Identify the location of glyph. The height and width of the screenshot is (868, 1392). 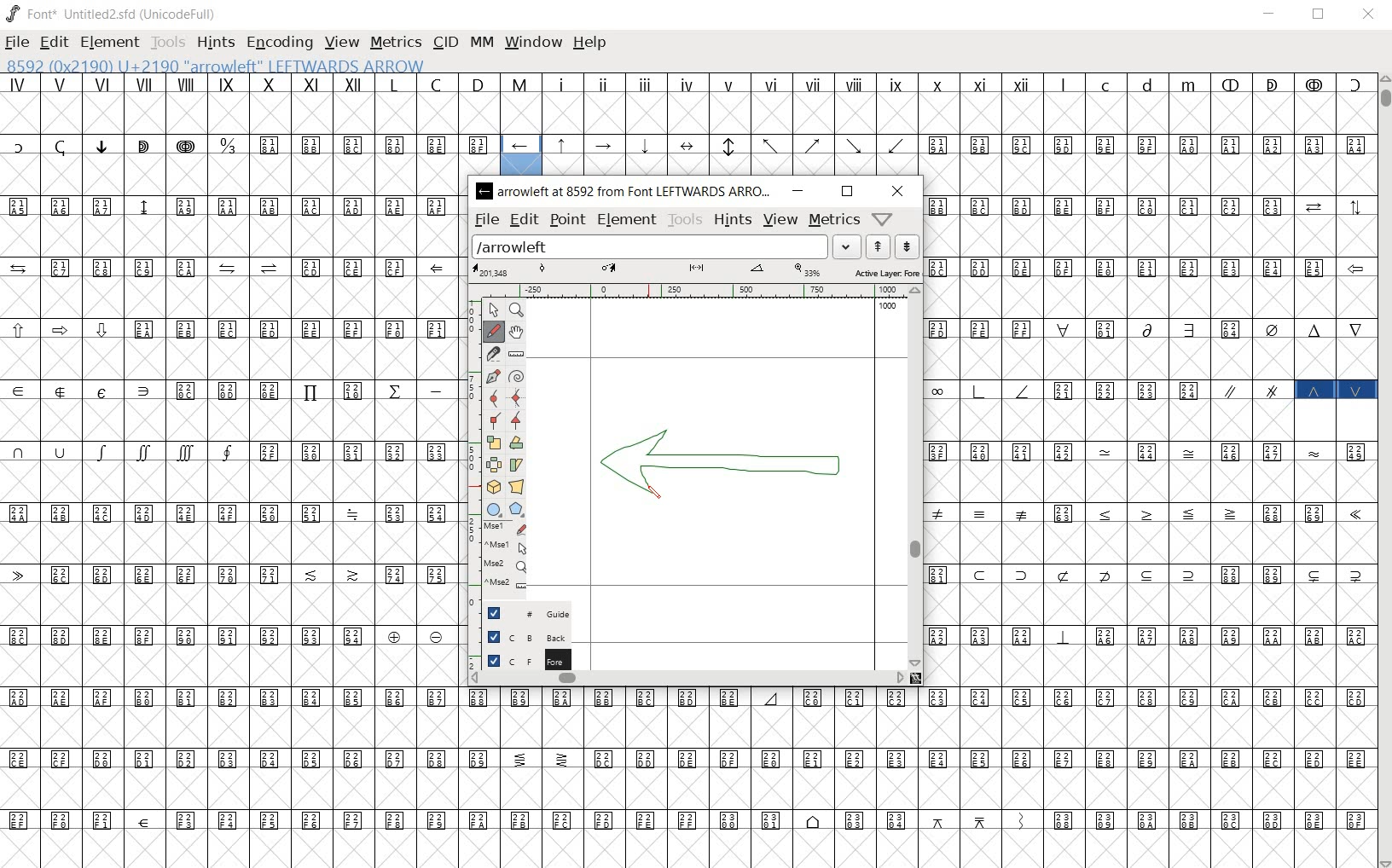
(689, 779).